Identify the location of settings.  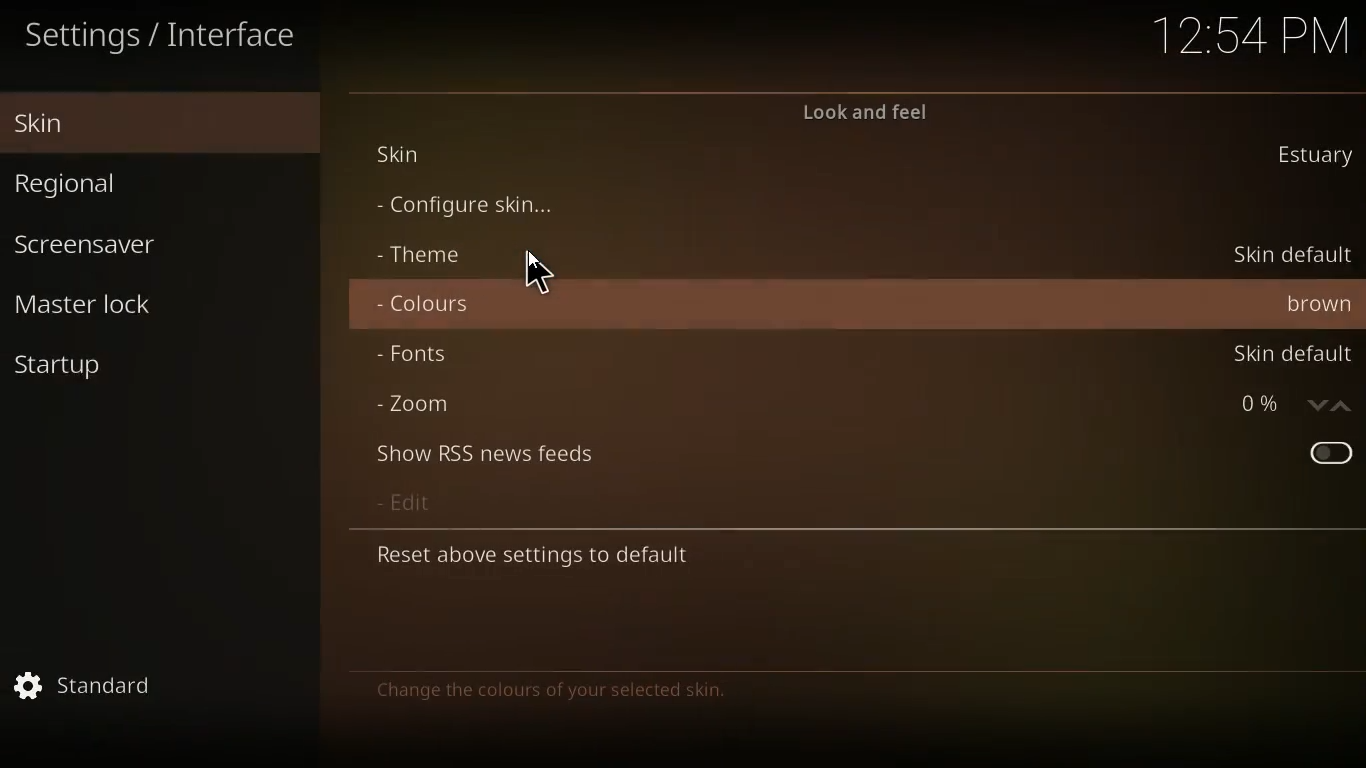
(88, 685).